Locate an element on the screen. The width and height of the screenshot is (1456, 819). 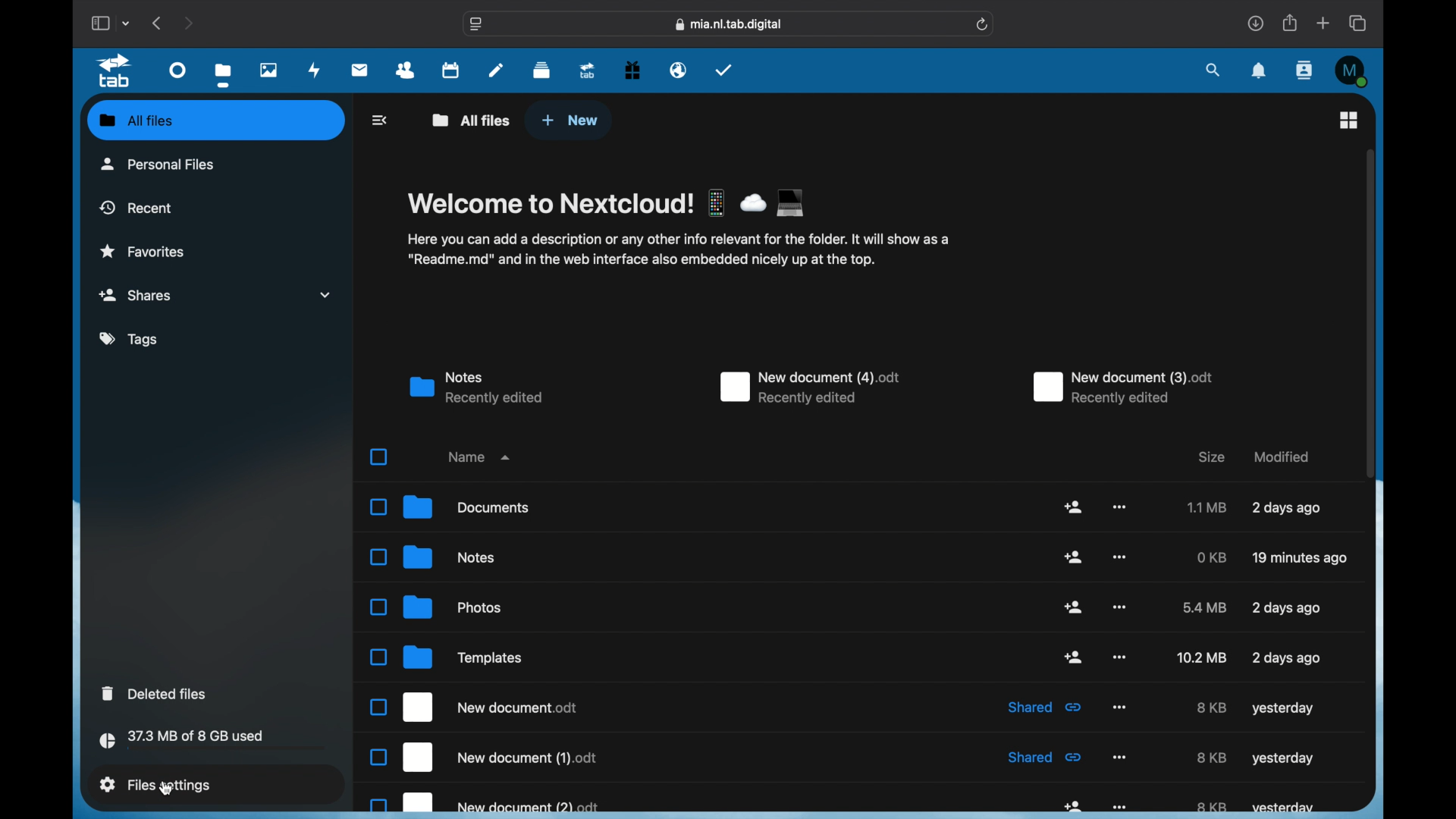
modified is located at coordinates (1283, 457).